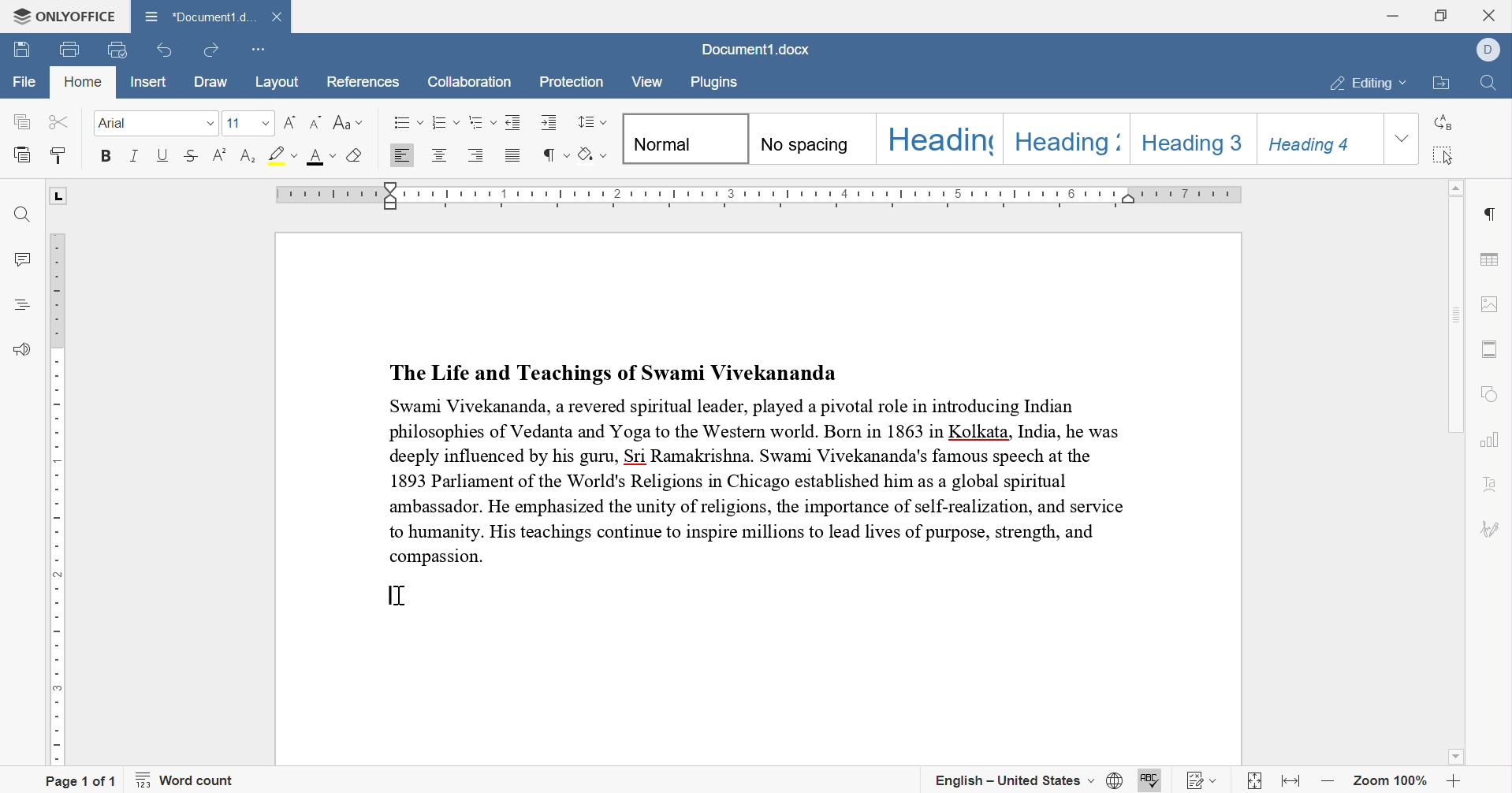 This screenshot has height=793, width=1512. I want to click on arial, so click(117, 123).